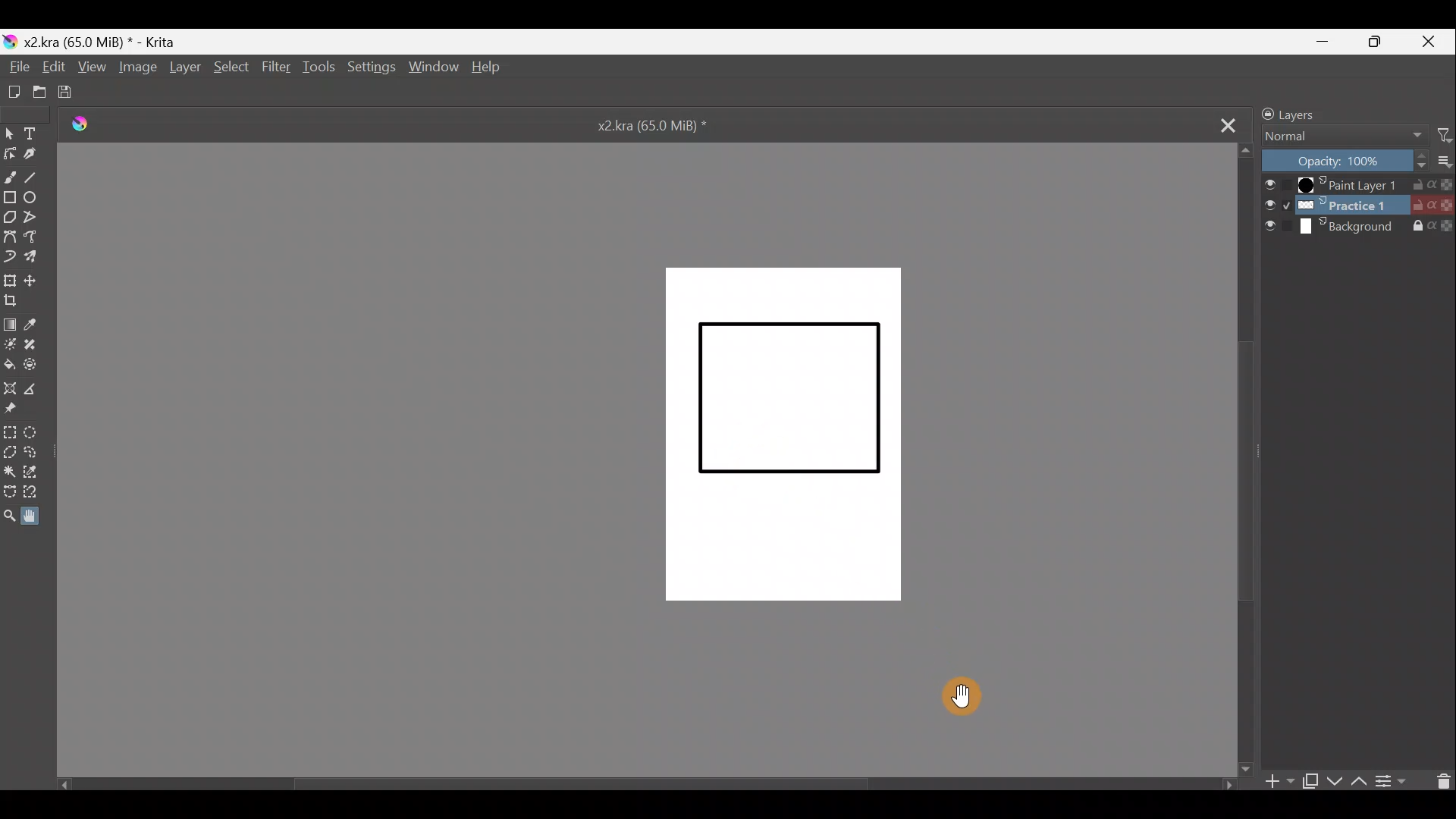 The height and width of the screenshot is (819, 1456). What do you see at coordinates (1309, 780) in the screenshot?
I see `Duplicate layer` at bounding box center [1309, 780].